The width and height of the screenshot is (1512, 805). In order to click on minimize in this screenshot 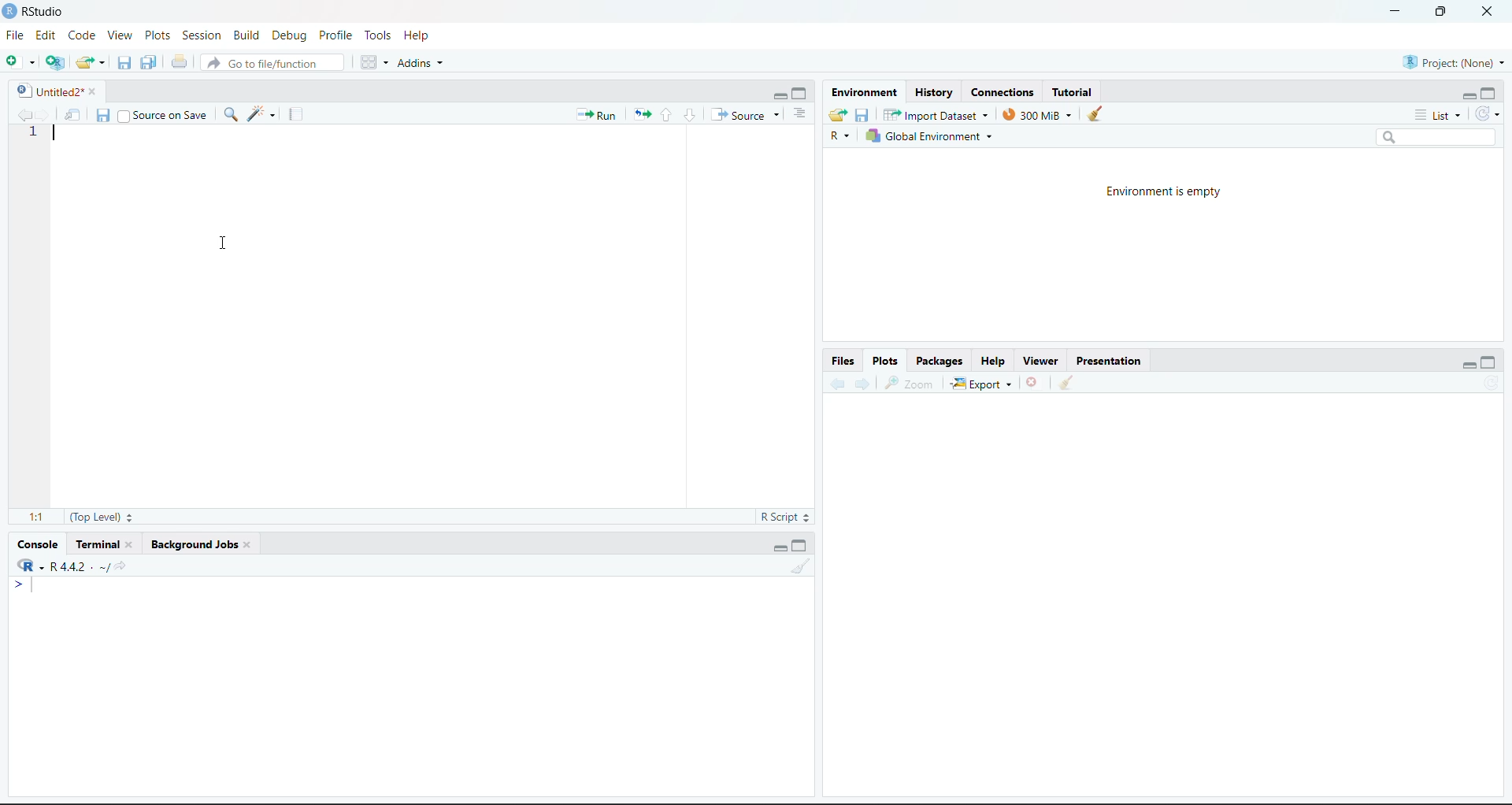, I will do `click(1390, 12)`.